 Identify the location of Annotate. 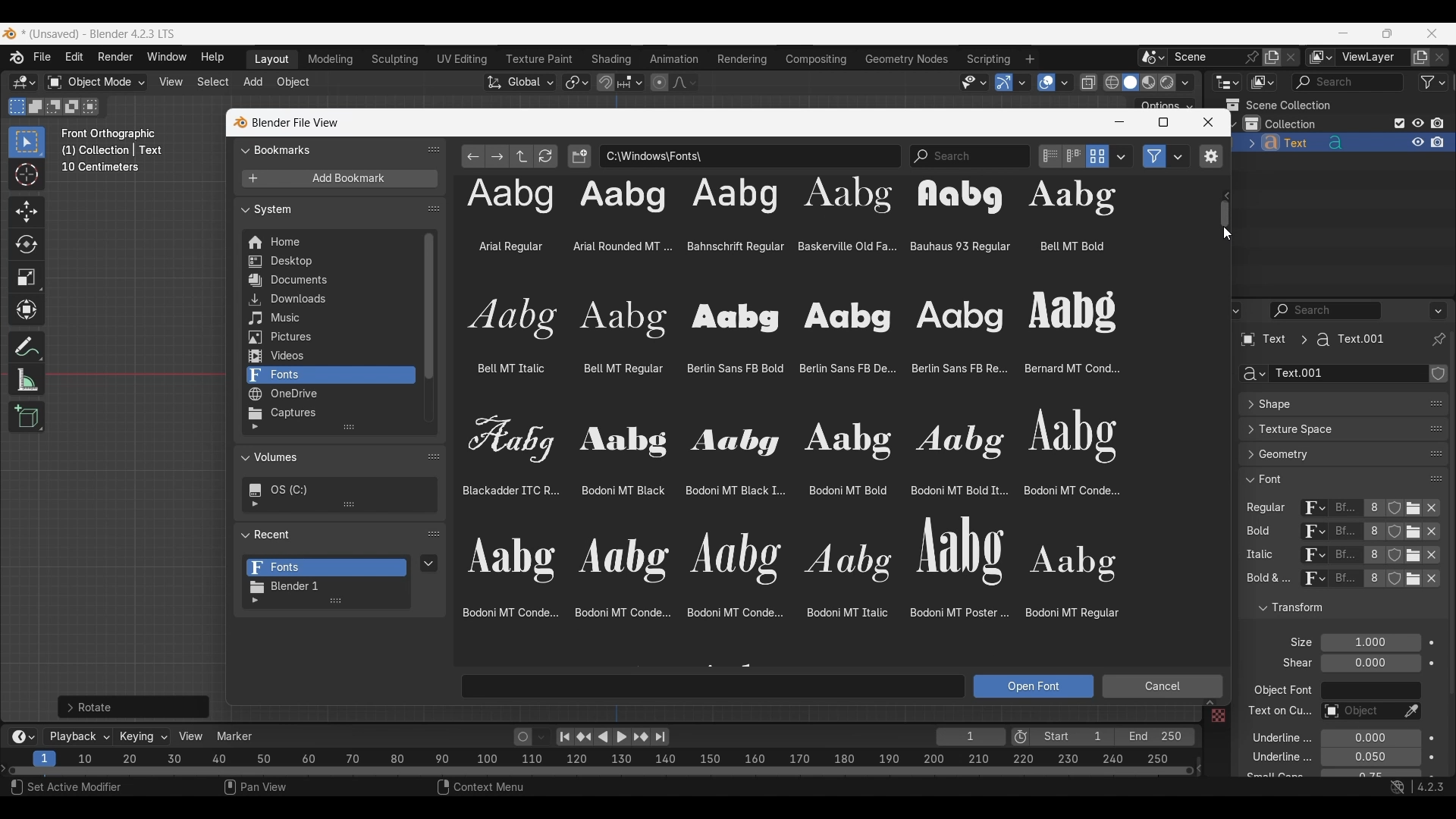
(27, 347).